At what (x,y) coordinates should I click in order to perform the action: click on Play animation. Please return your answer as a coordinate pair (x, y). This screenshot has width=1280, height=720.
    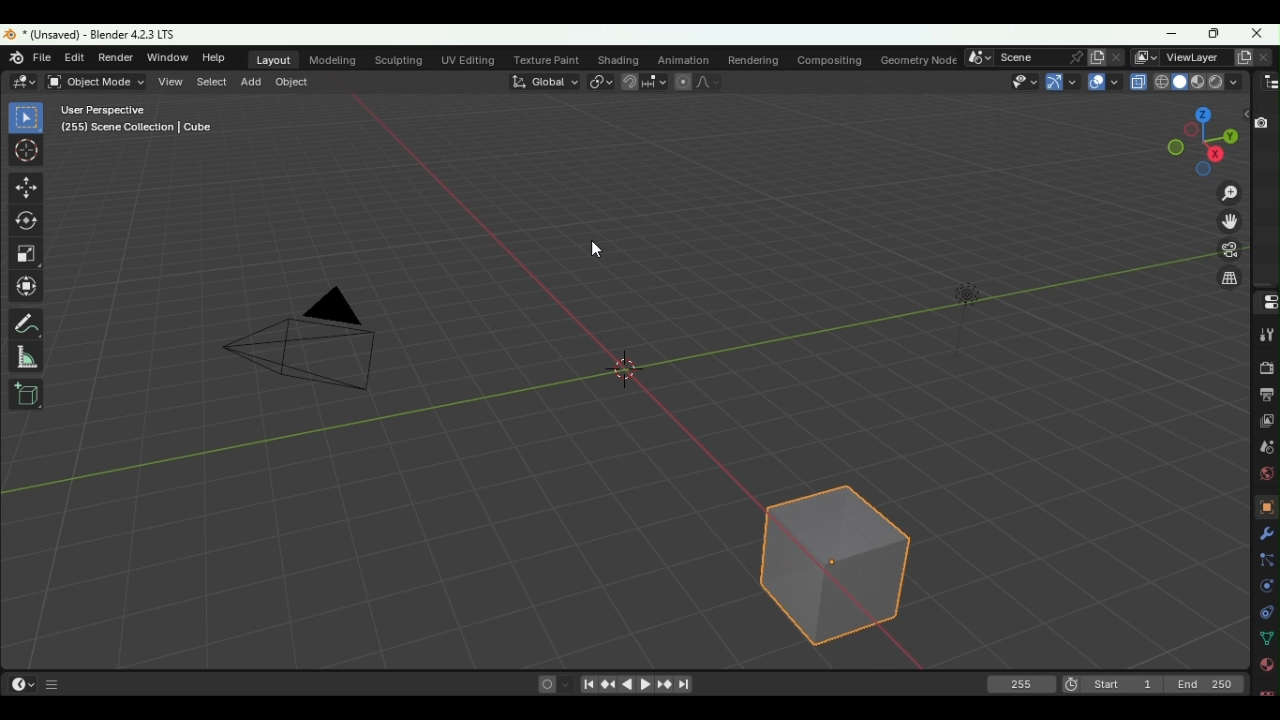
    Looking at the image, I should click on (646, 685).